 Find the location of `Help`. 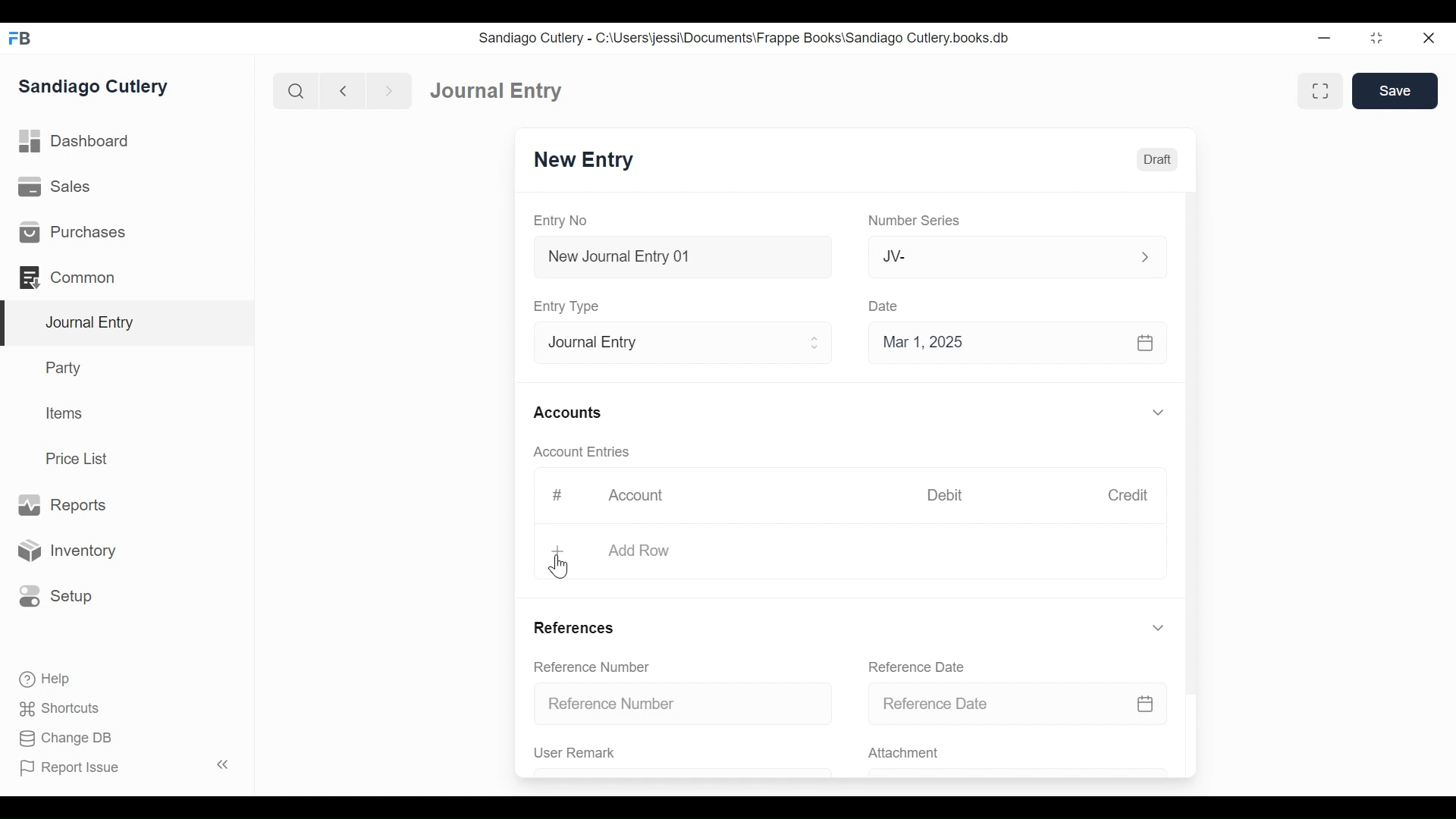

Help is located at coordinates (38, 680).